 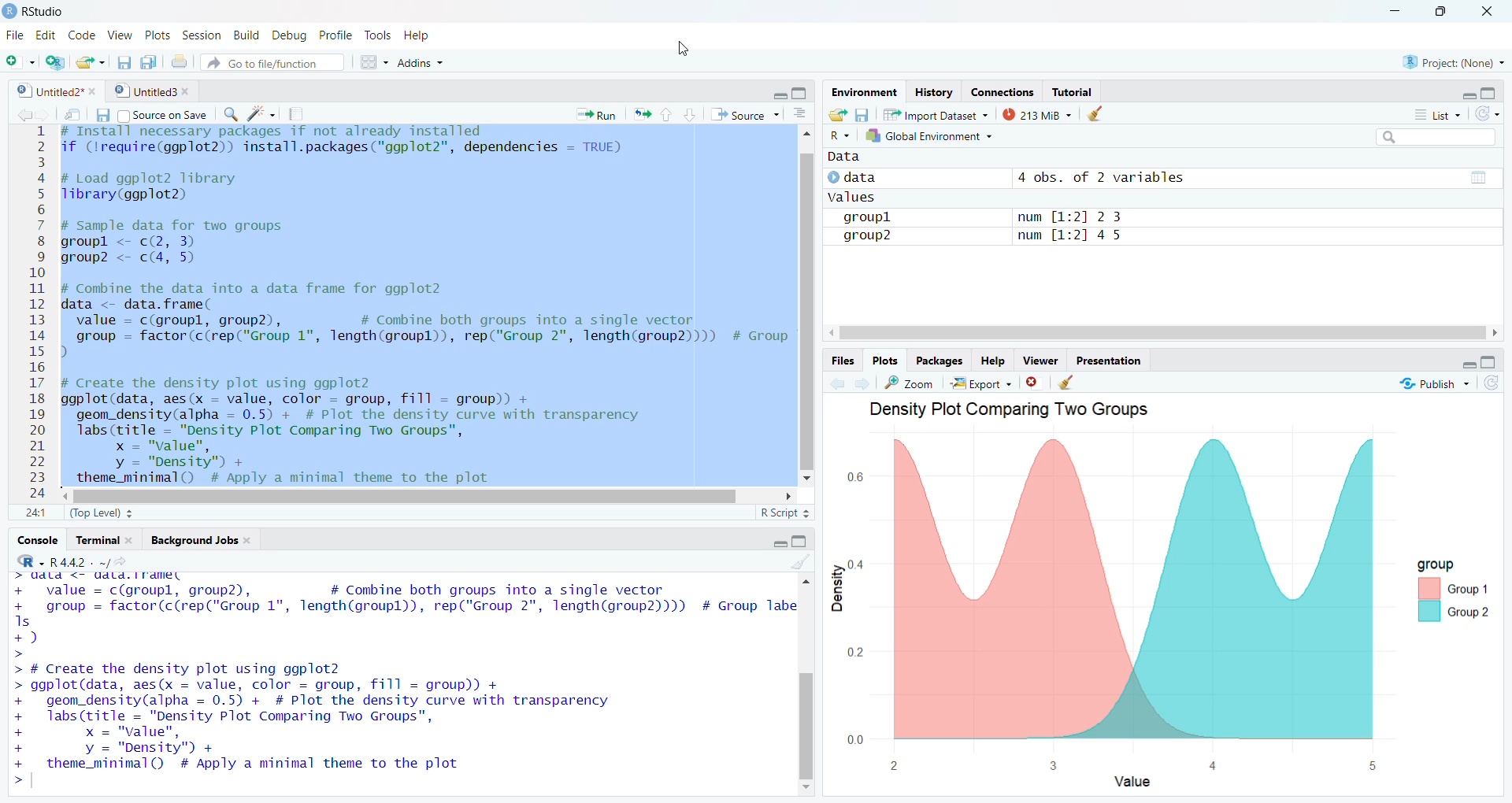 I want to click on group 1, so click(x=881, y=216).